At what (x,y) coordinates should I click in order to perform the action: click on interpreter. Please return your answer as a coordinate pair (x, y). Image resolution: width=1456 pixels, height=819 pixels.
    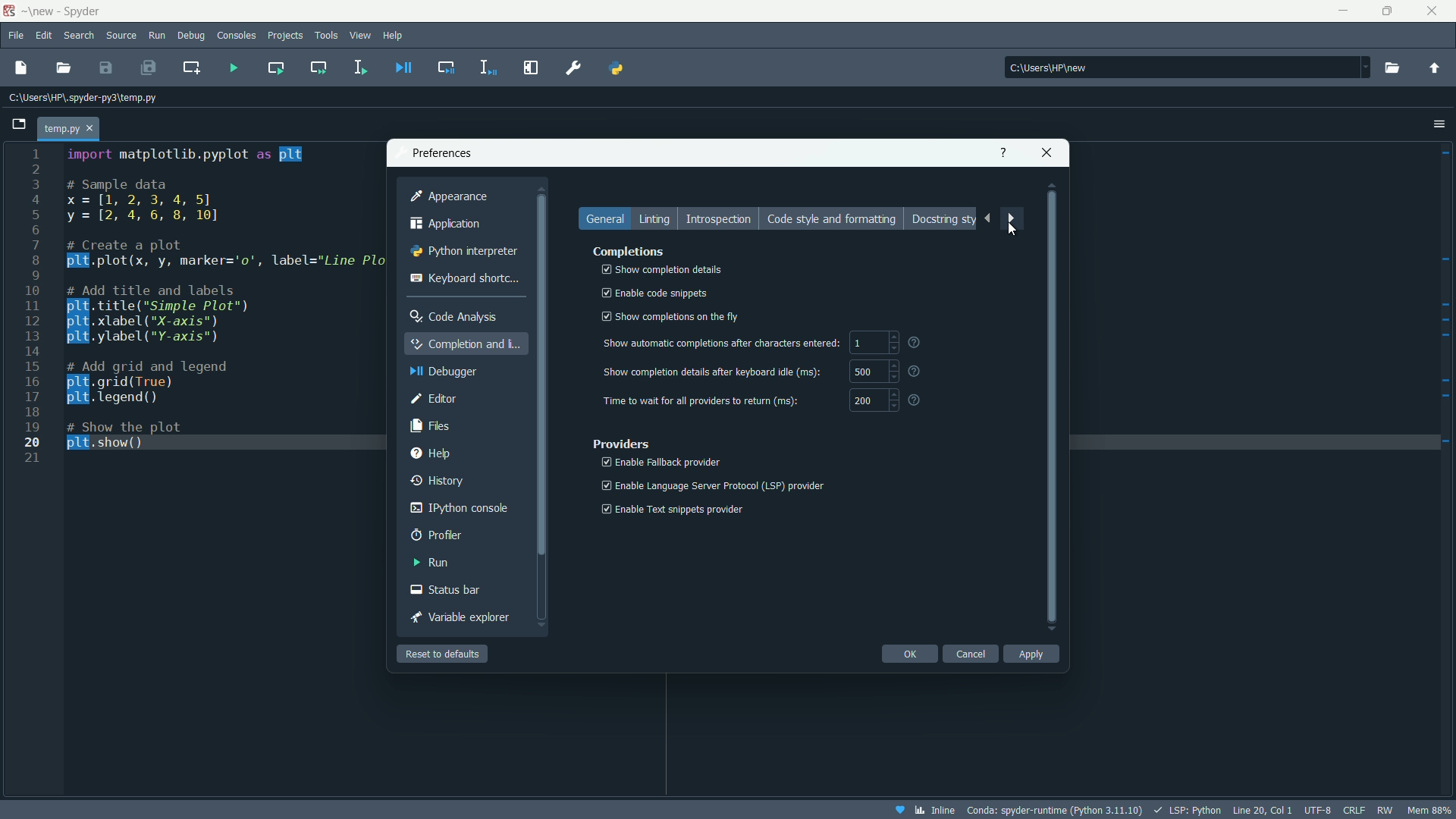
    Looking at the image, I should click on (1053, 811).